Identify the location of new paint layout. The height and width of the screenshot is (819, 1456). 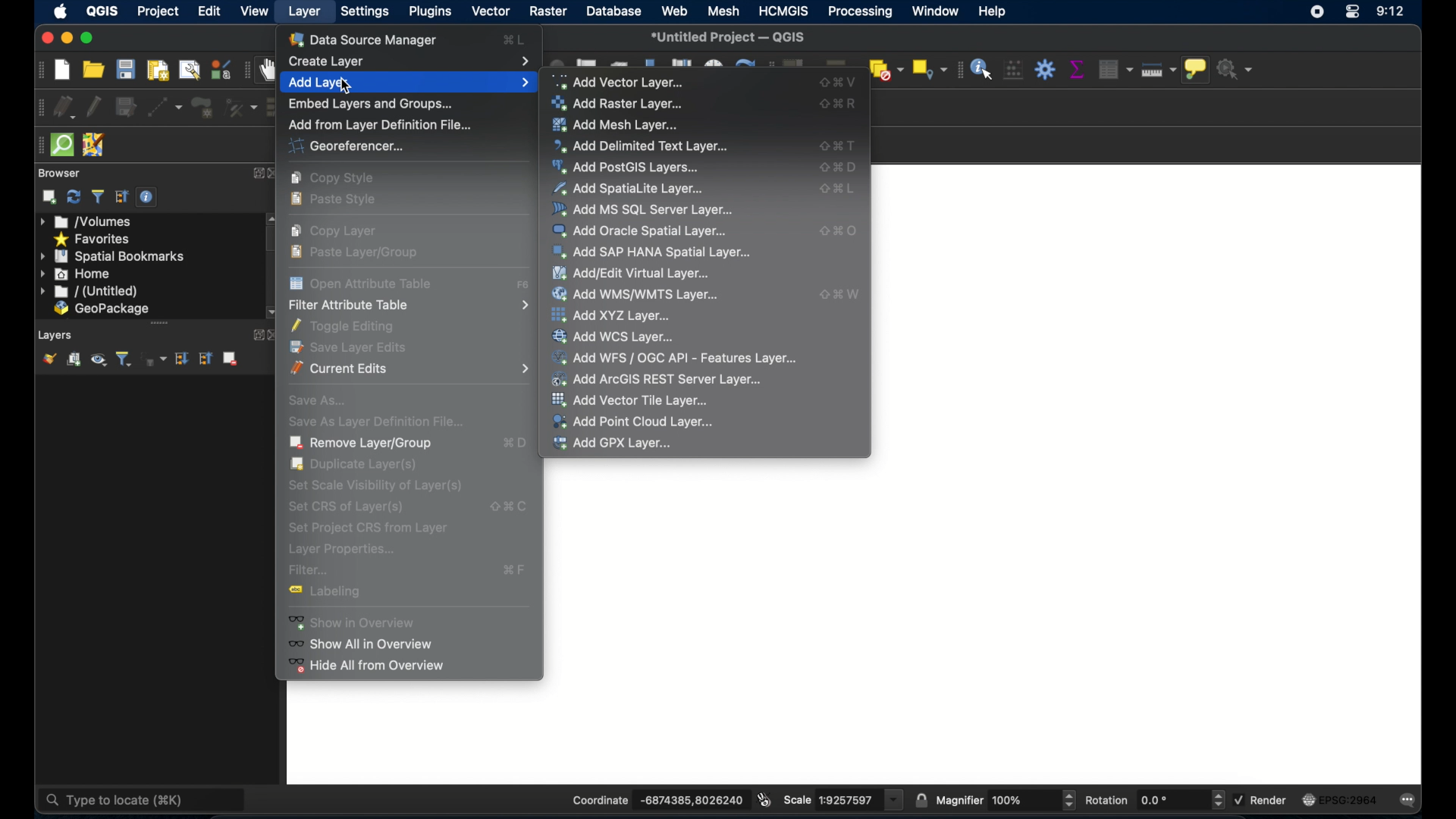
(158, 69).